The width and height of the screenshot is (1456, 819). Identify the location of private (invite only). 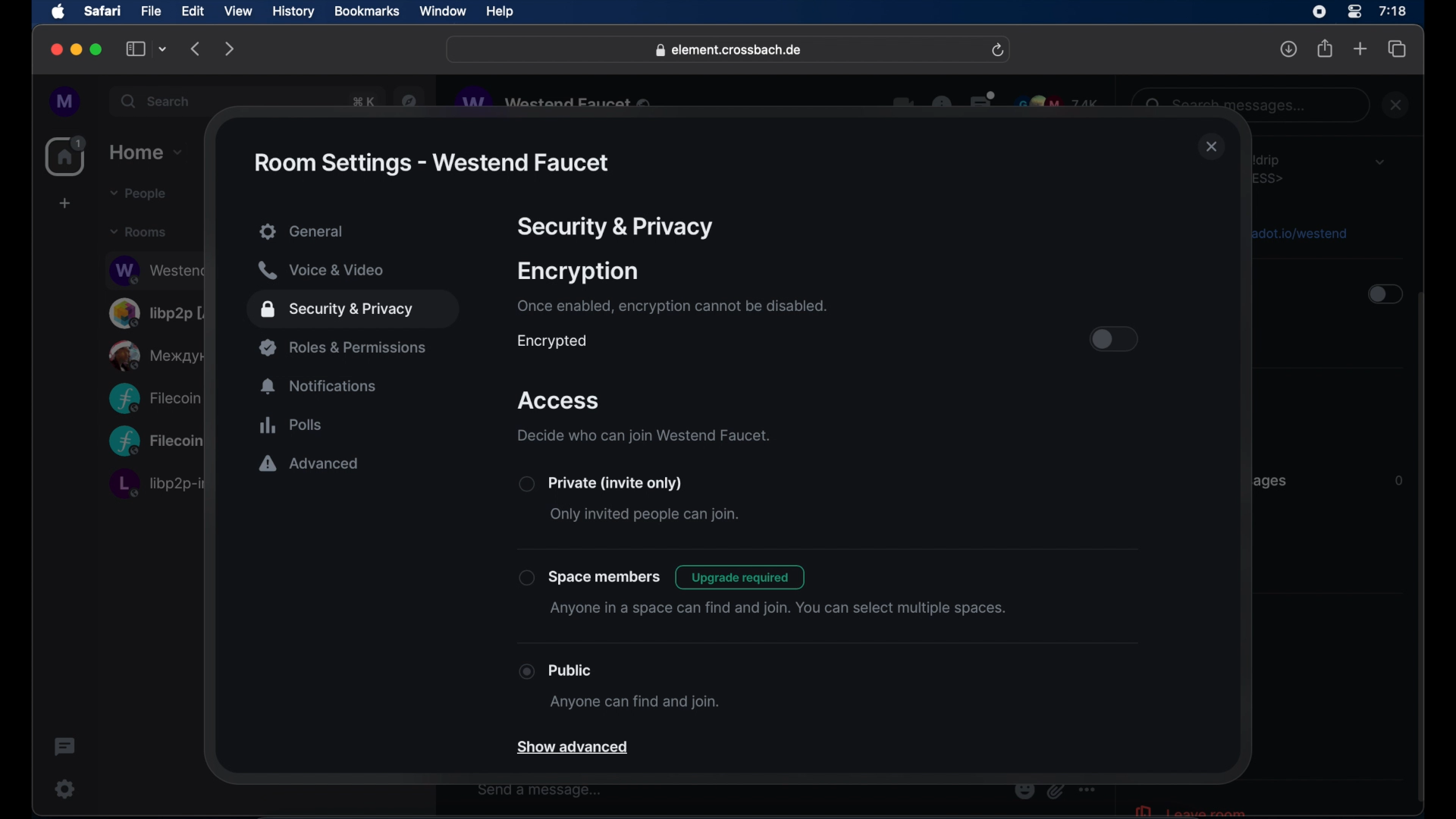
(601, 484).